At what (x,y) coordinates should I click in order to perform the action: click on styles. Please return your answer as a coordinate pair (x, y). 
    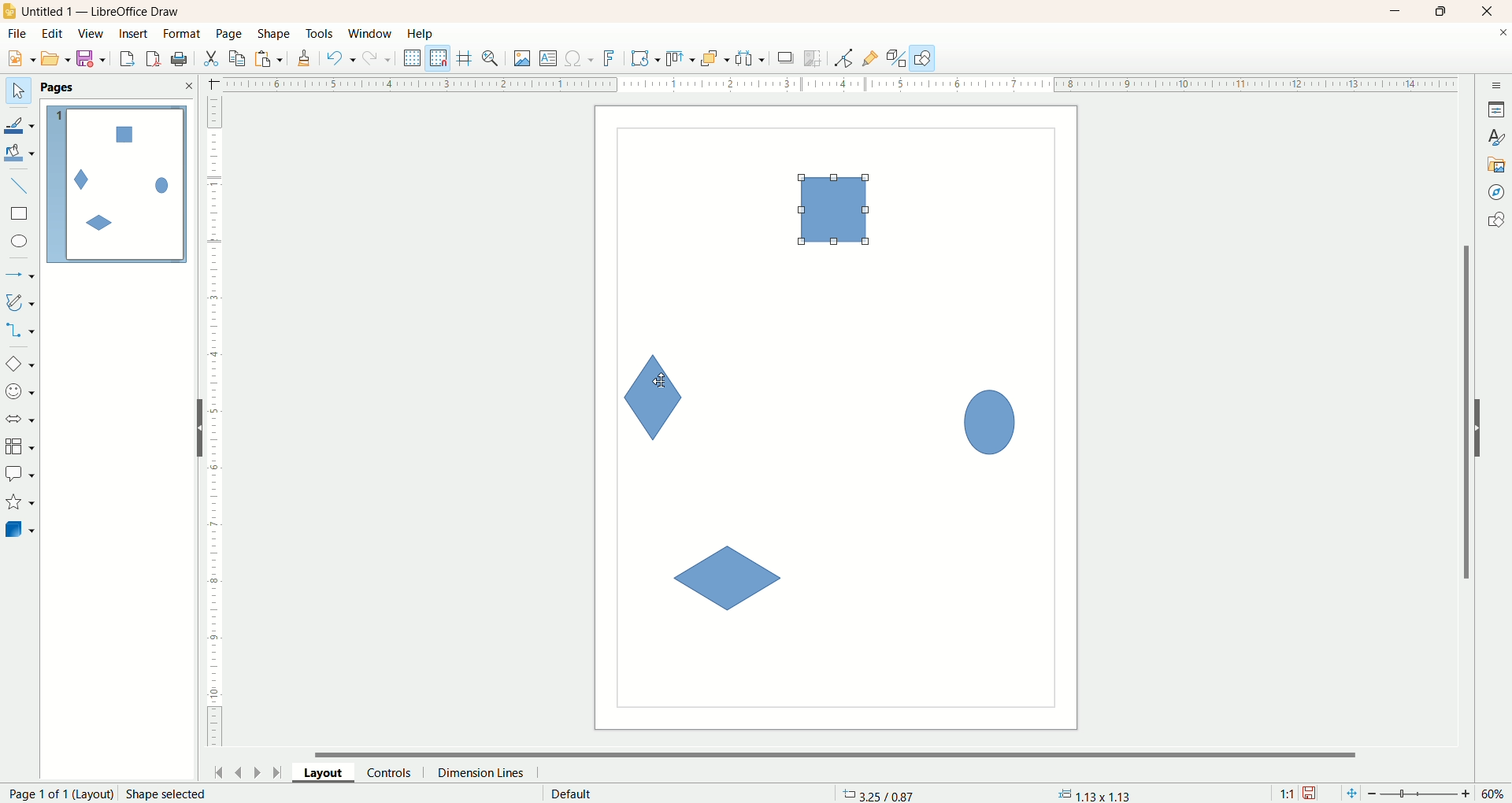
    Looking at the image, I should click on (1496, 135).